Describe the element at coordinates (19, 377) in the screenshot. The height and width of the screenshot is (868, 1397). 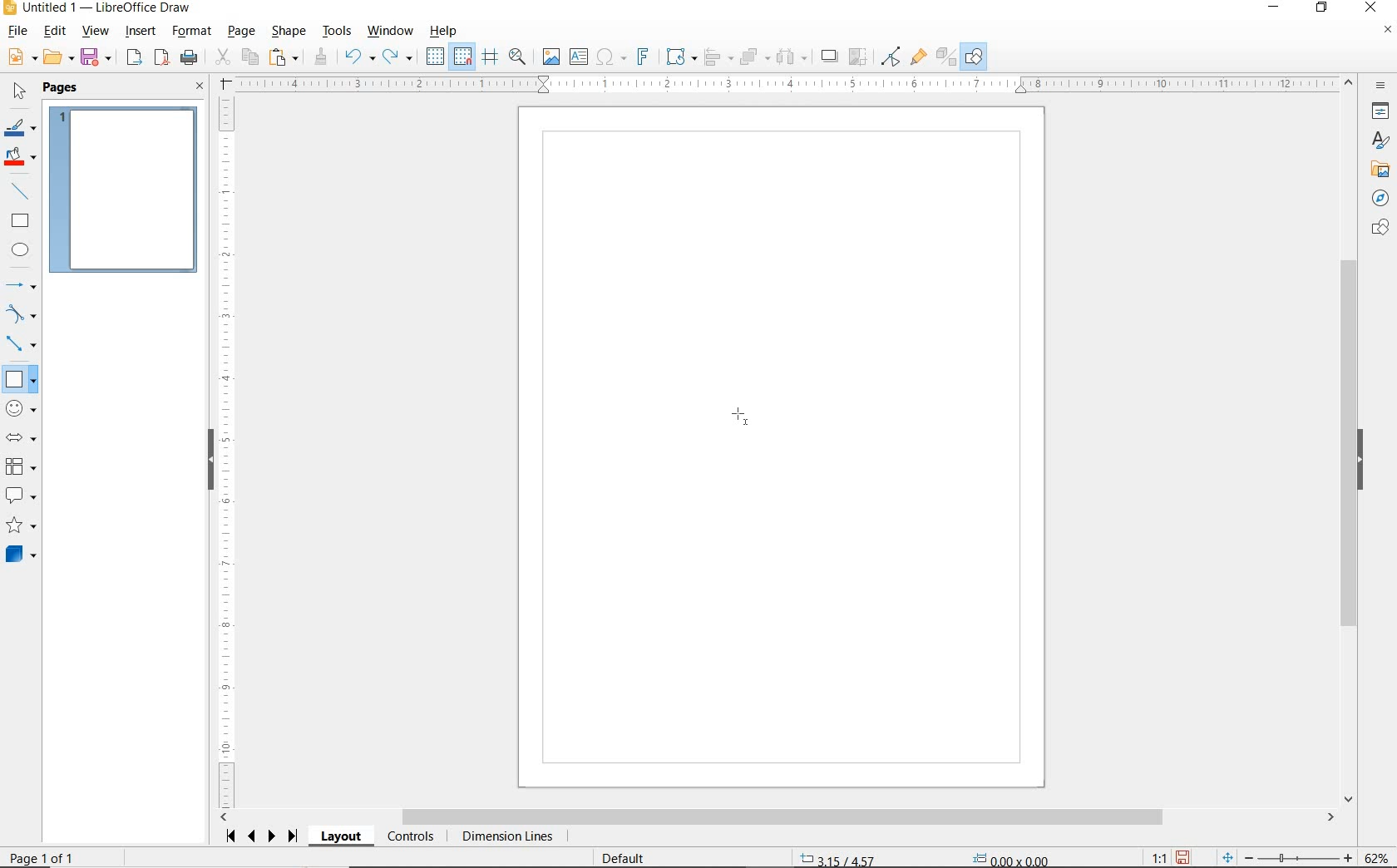
I see `BASIC SHAPES` at that location.